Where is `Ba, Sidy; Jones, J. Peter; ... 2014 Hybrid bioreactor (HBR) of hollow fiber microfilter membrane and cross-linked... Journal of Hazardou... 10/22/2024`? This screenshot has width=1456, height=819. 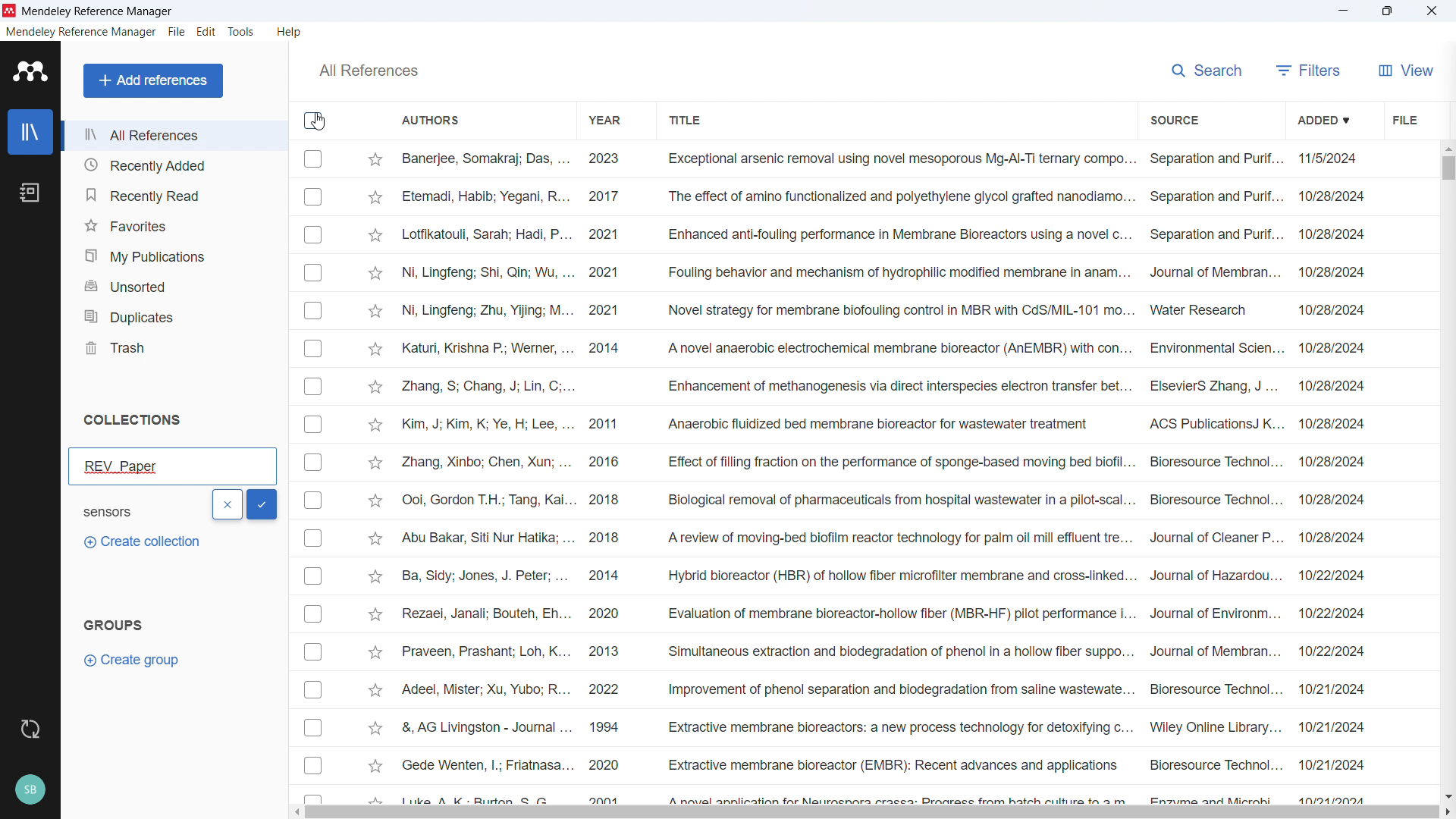
Ba, Sidy; Jones, J. Peter; ... 2014 Hybrid bioreactor (HBR) of hollow fiber microfilter membrane and cross-linked... Journal of Hazardou... 10/22/2024 is located at coordinates (883, 575).